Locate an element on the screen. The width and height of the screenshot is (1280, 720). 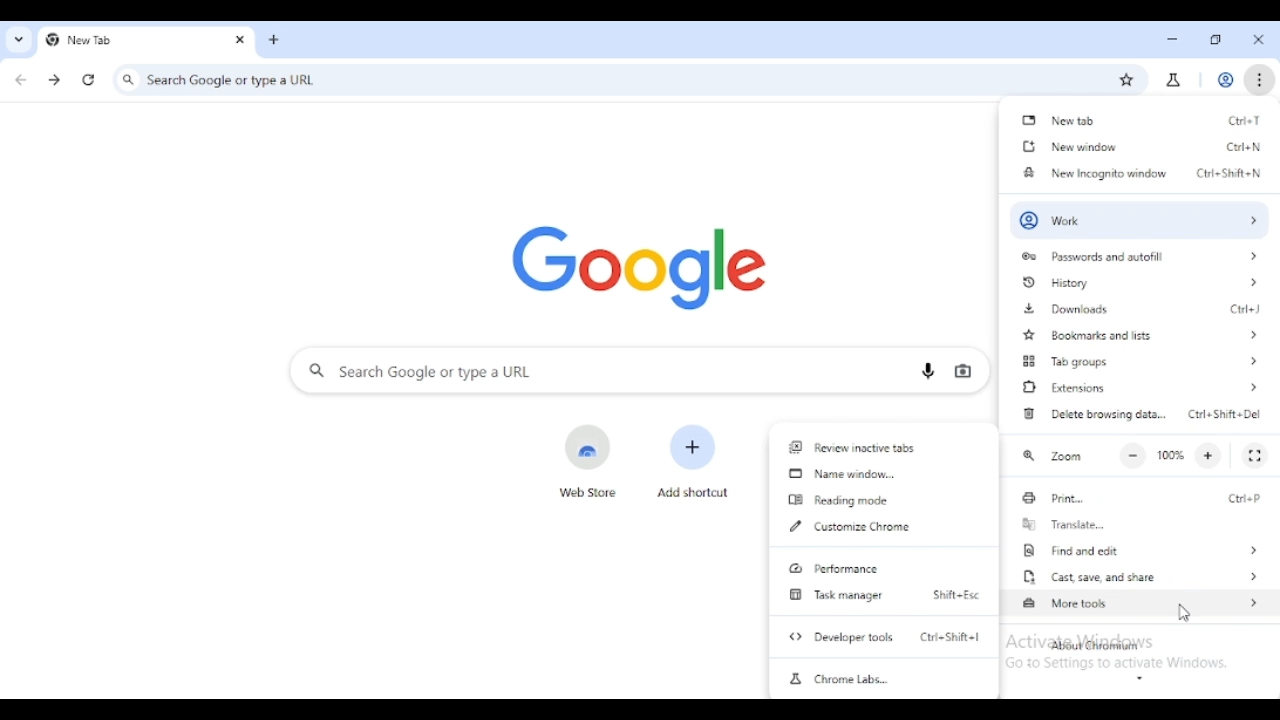
shortcut for new incognito window is located at coordinates (1230, 172).